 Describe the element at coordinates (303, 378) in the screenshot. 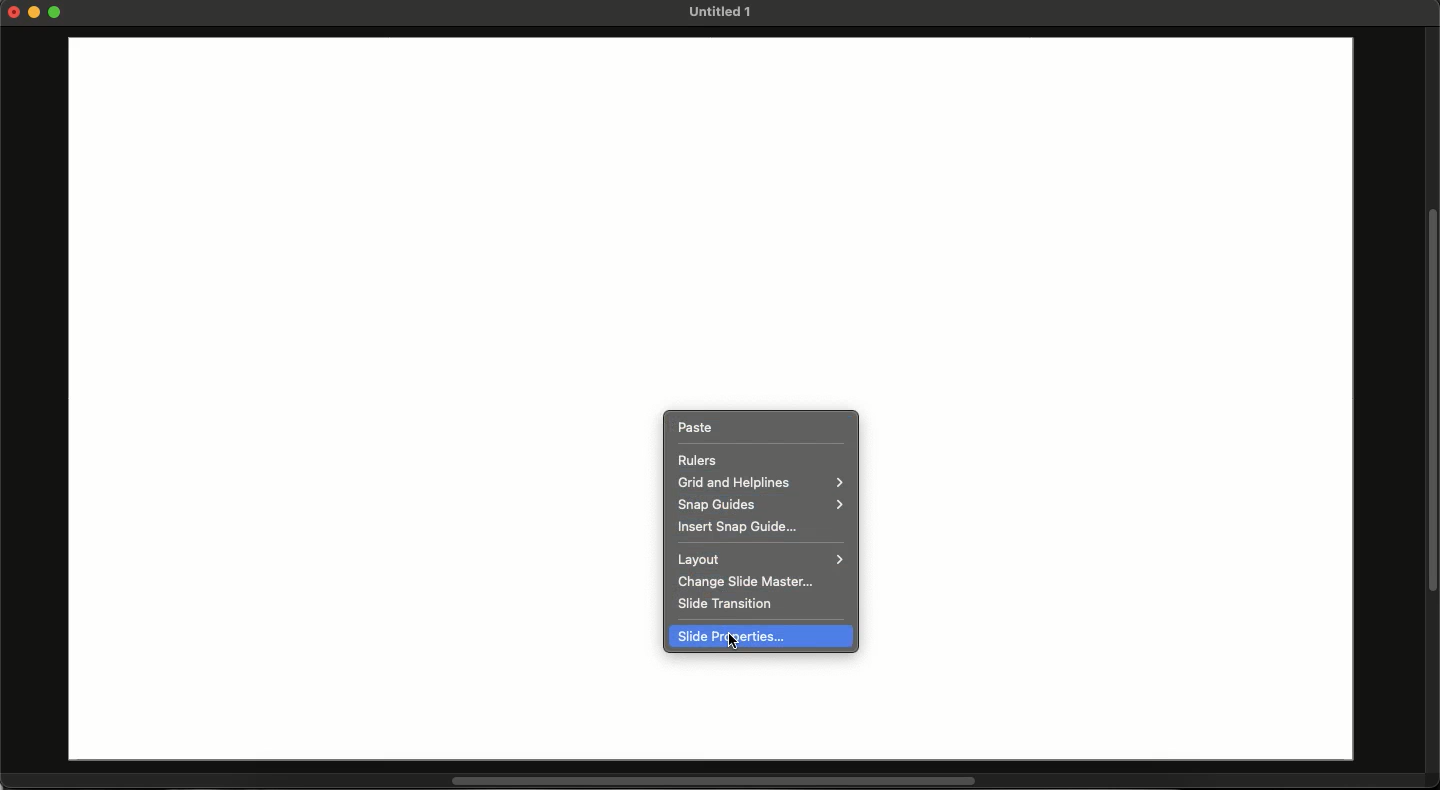

I see `Slide` at that location.